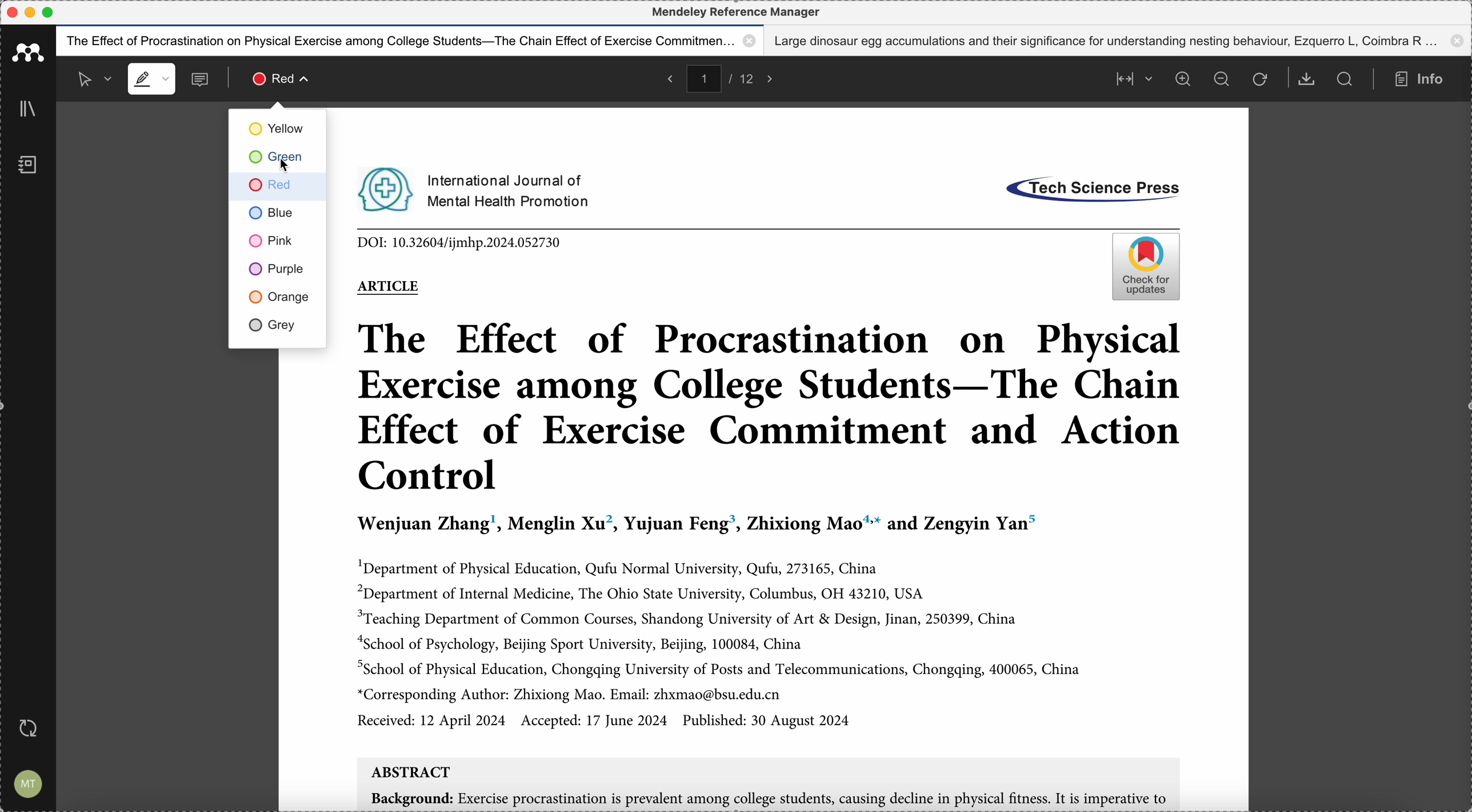 This screenshot has height=812, width=1472. Describe the element at coordinates (1223, 80) in the screenshot. I see `zoom out` at that location.